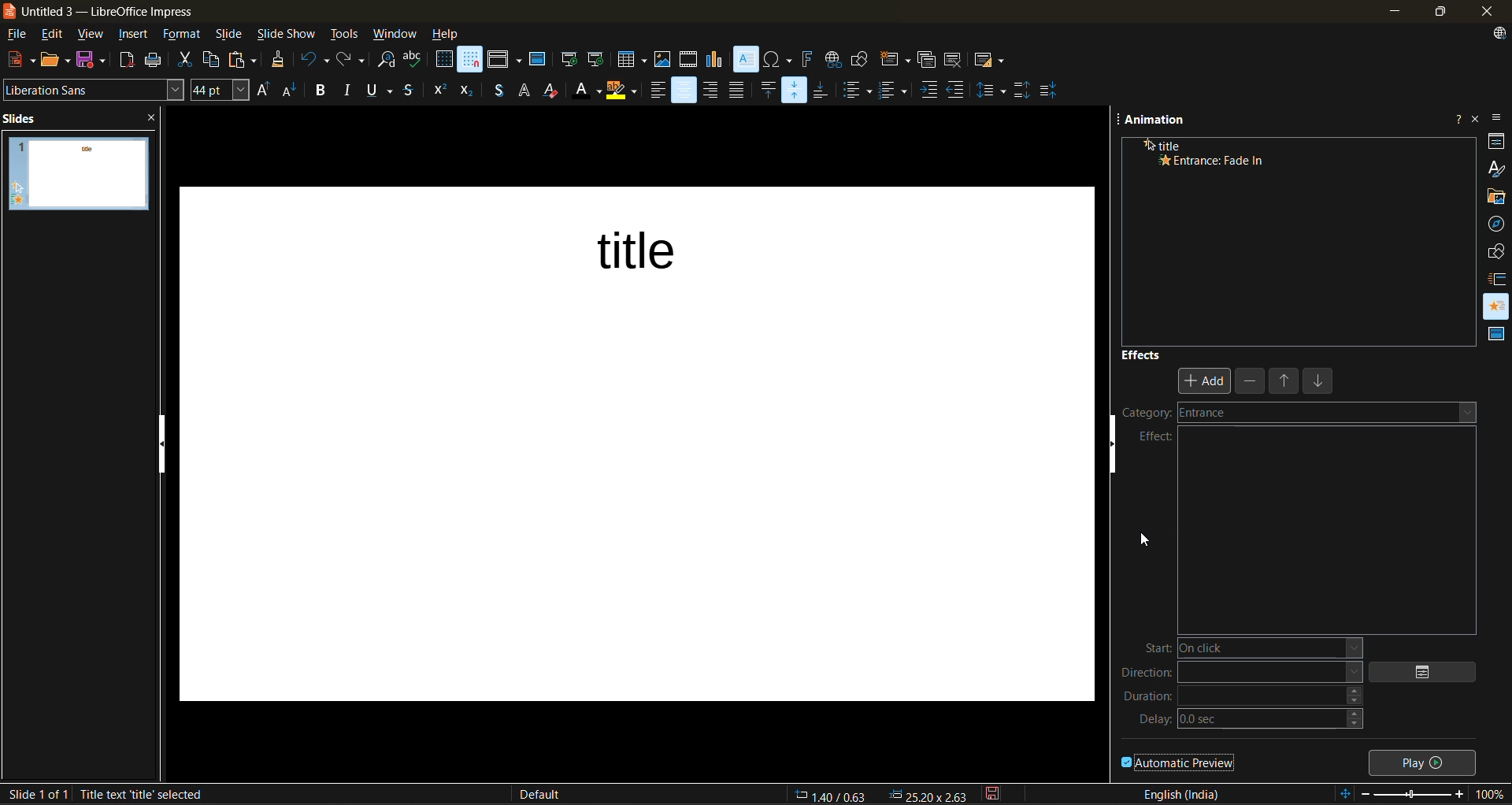 This screenshot has height=805, width=1512. Describe the element at coordinates (21, 35) in the screenshot. I see `file` at that location.